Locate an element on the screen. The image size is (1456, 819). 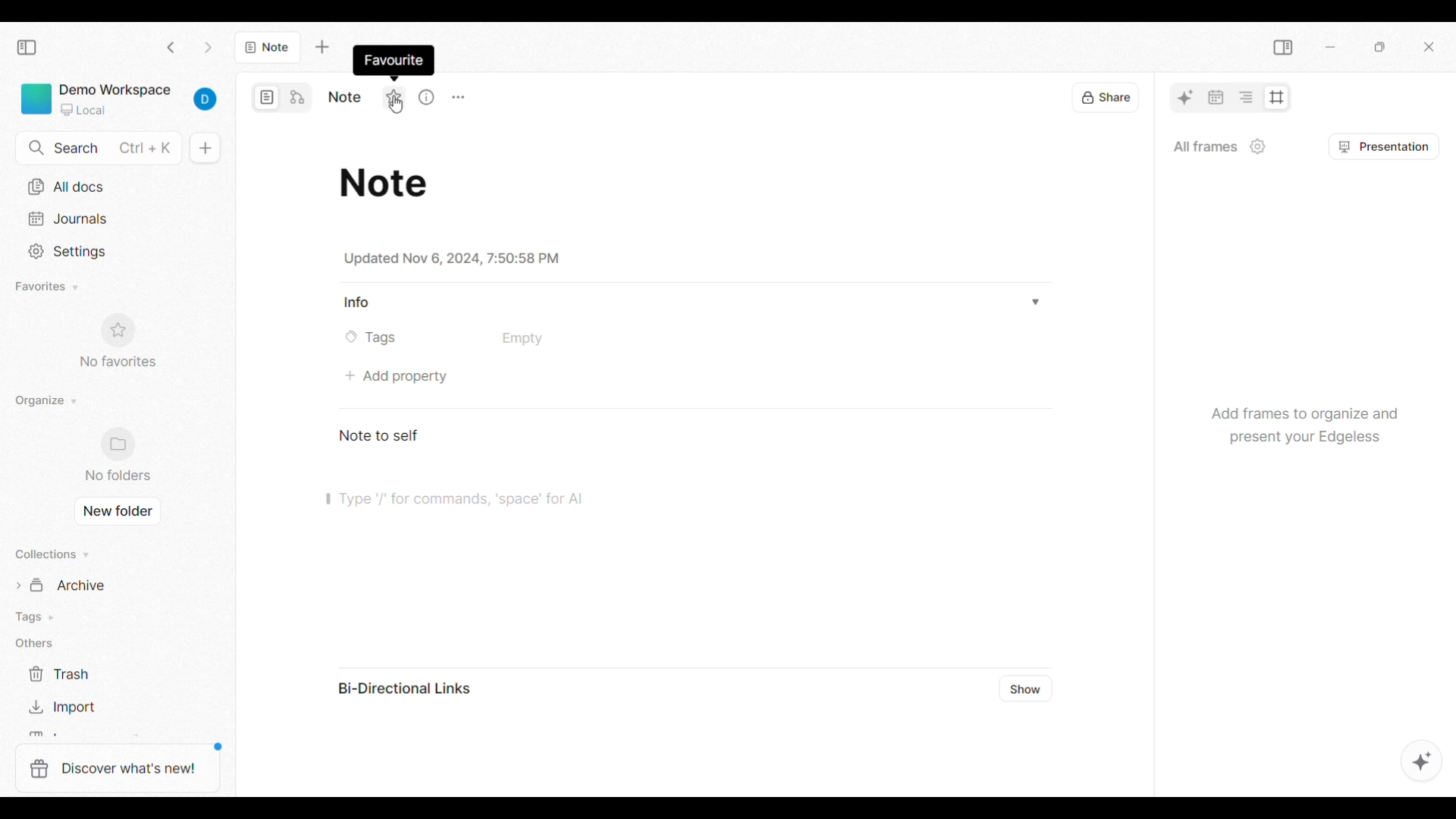
Info is located at coordinates (359, 303).